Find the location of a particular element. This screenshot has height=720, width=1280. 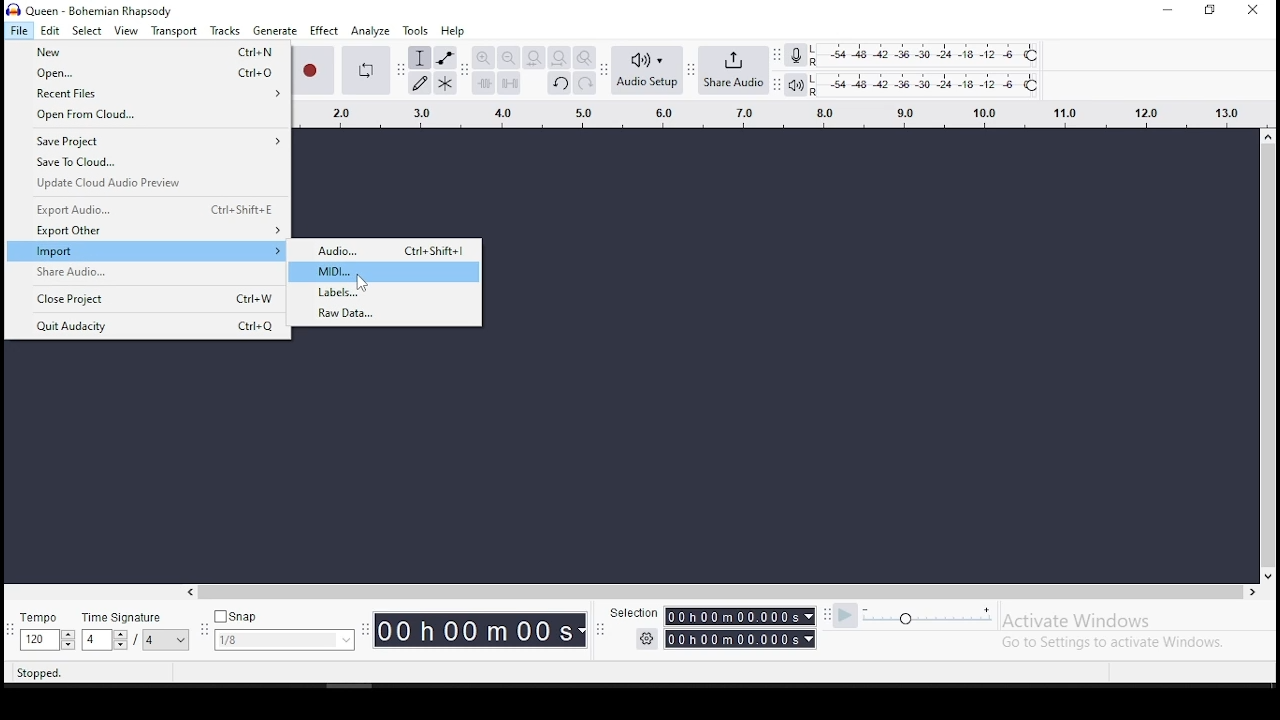

tempo is located at coordinates (47, 632).